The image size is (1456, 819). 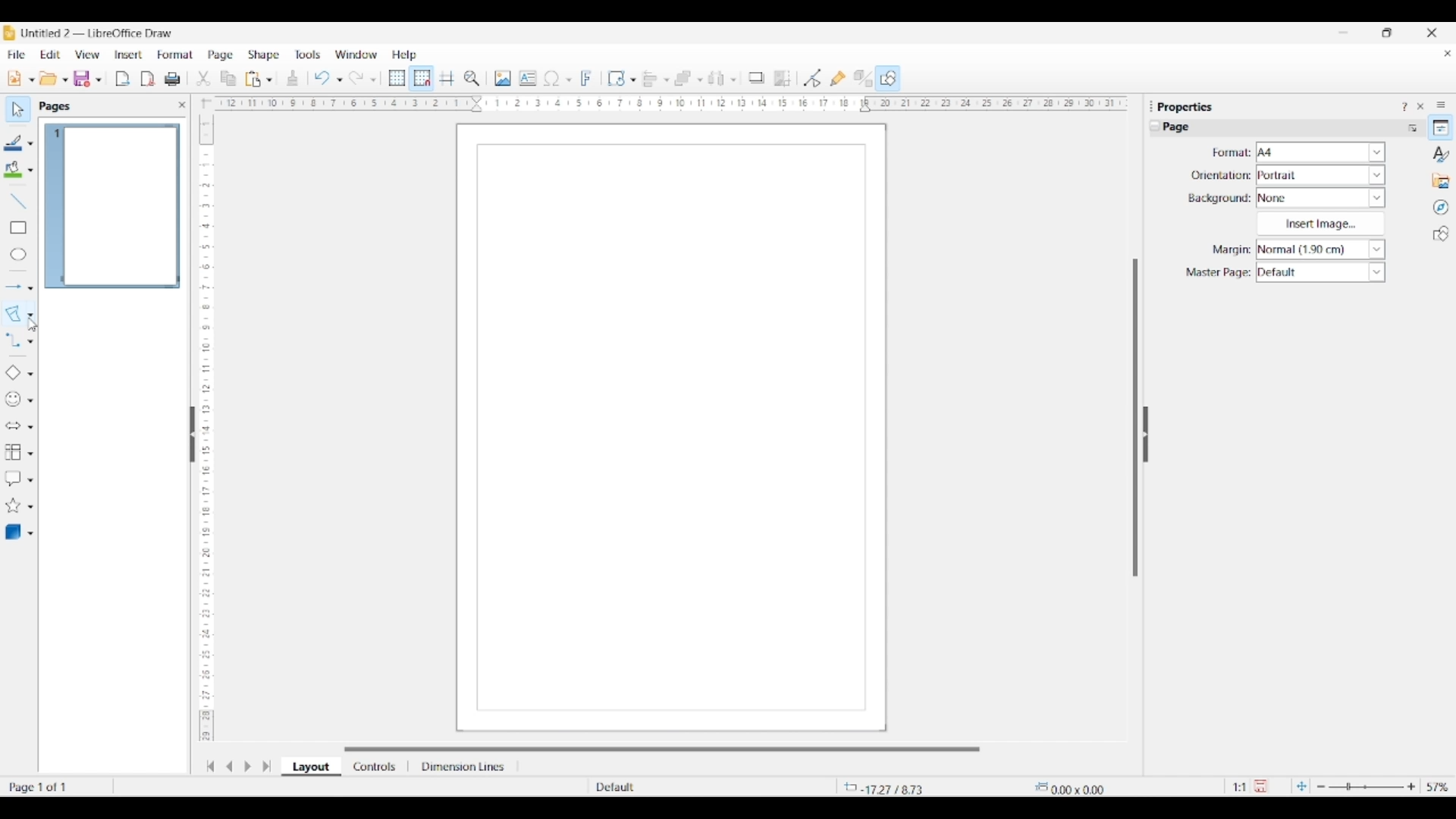 What do you see at coordinates (30, 400) in the screenshot?
I see `Symbol shape options` at bounding box center [30, 400].